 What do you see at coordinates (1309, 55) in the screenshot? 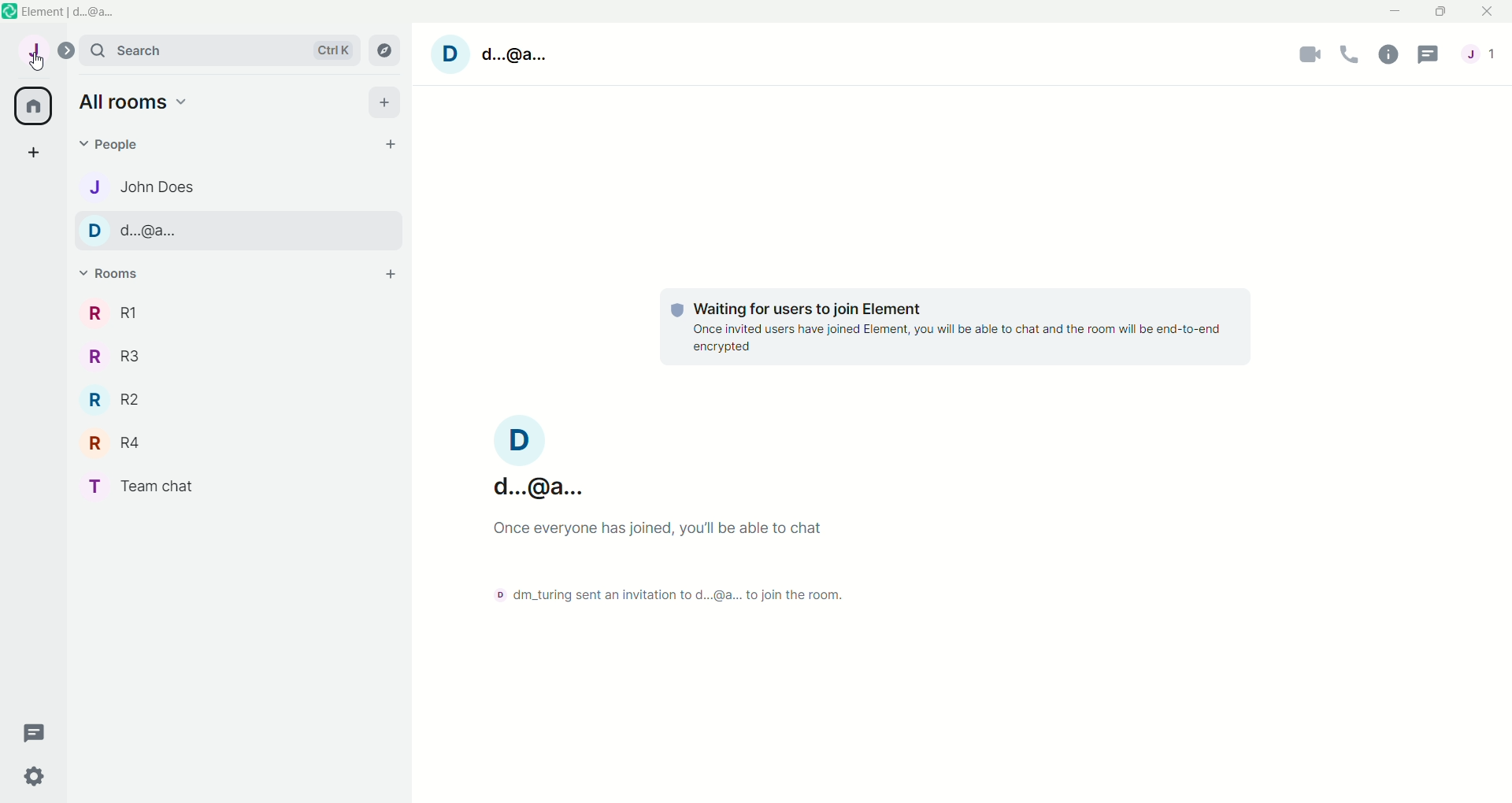
I see `video call` at bounding box center [1309, 55].